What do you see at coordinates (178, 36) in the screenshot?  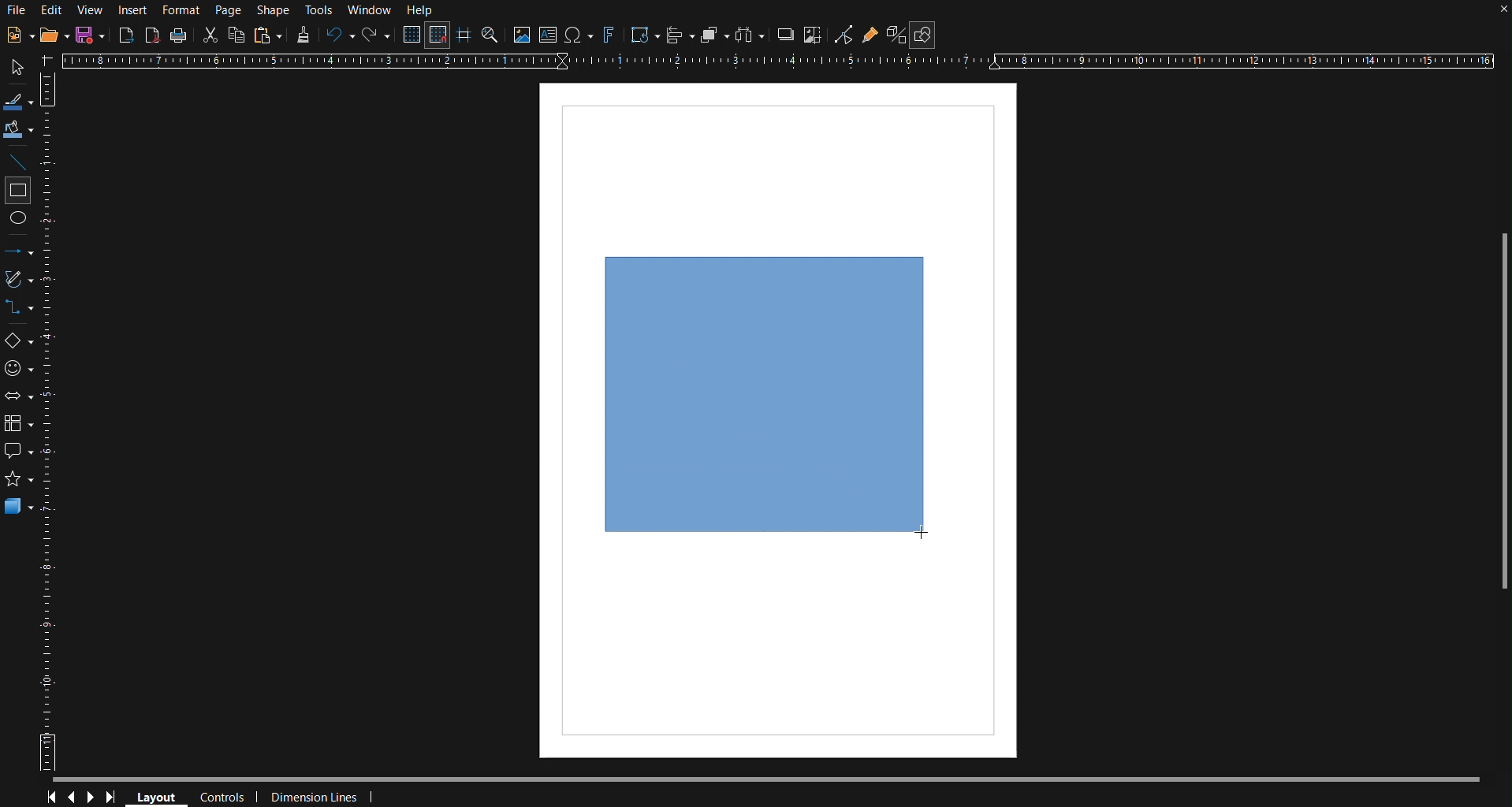 I see `Print` at bounding box center [178, 36].